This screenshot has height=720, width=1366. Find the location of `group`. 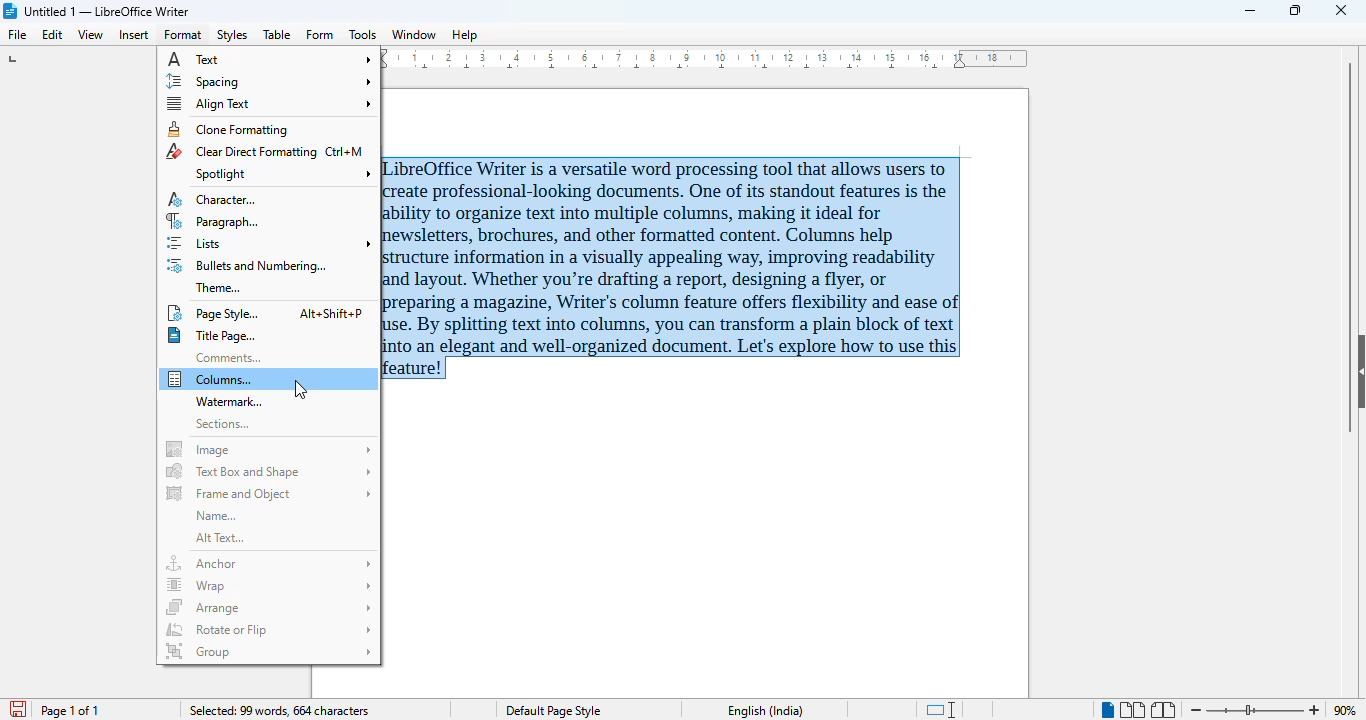

group is located at coordinates (269, 651).